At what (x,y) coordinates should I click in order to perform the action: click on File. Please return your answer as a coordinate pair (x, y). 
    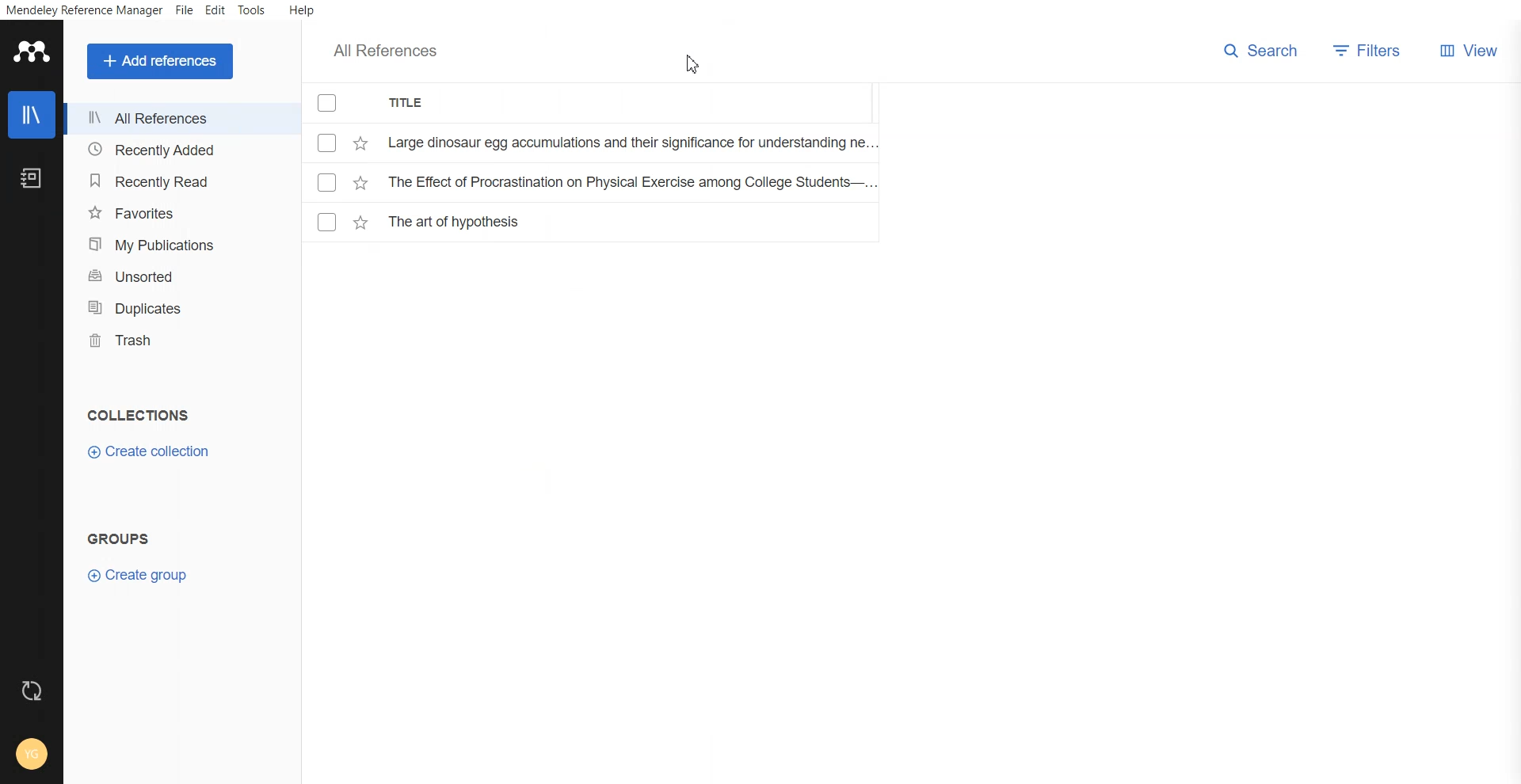
    Looking at the image, I should click on (597, 181).